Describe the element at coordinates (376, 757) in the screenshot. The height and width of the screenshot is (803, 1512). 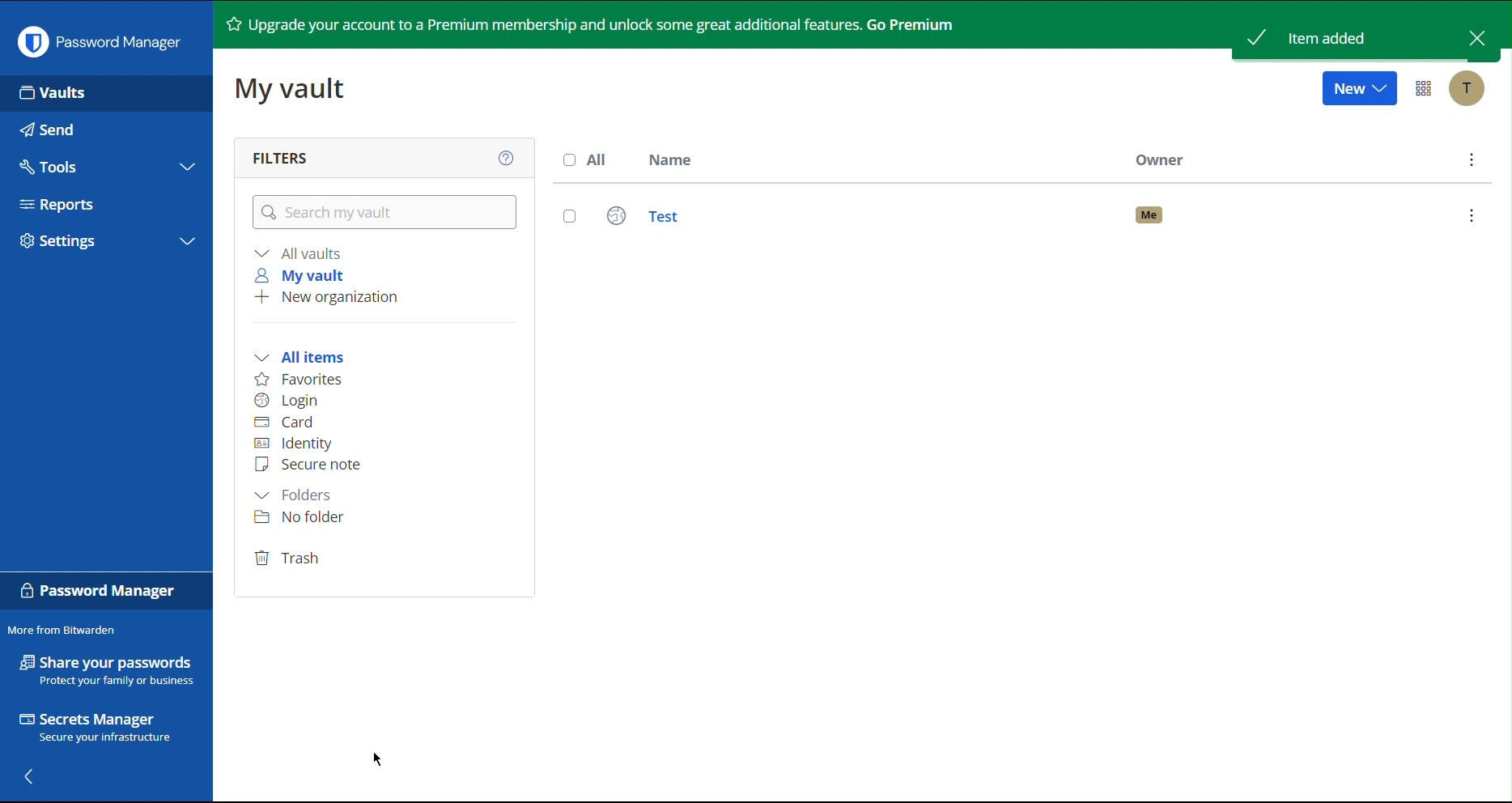
I see `Cursor` at that location.